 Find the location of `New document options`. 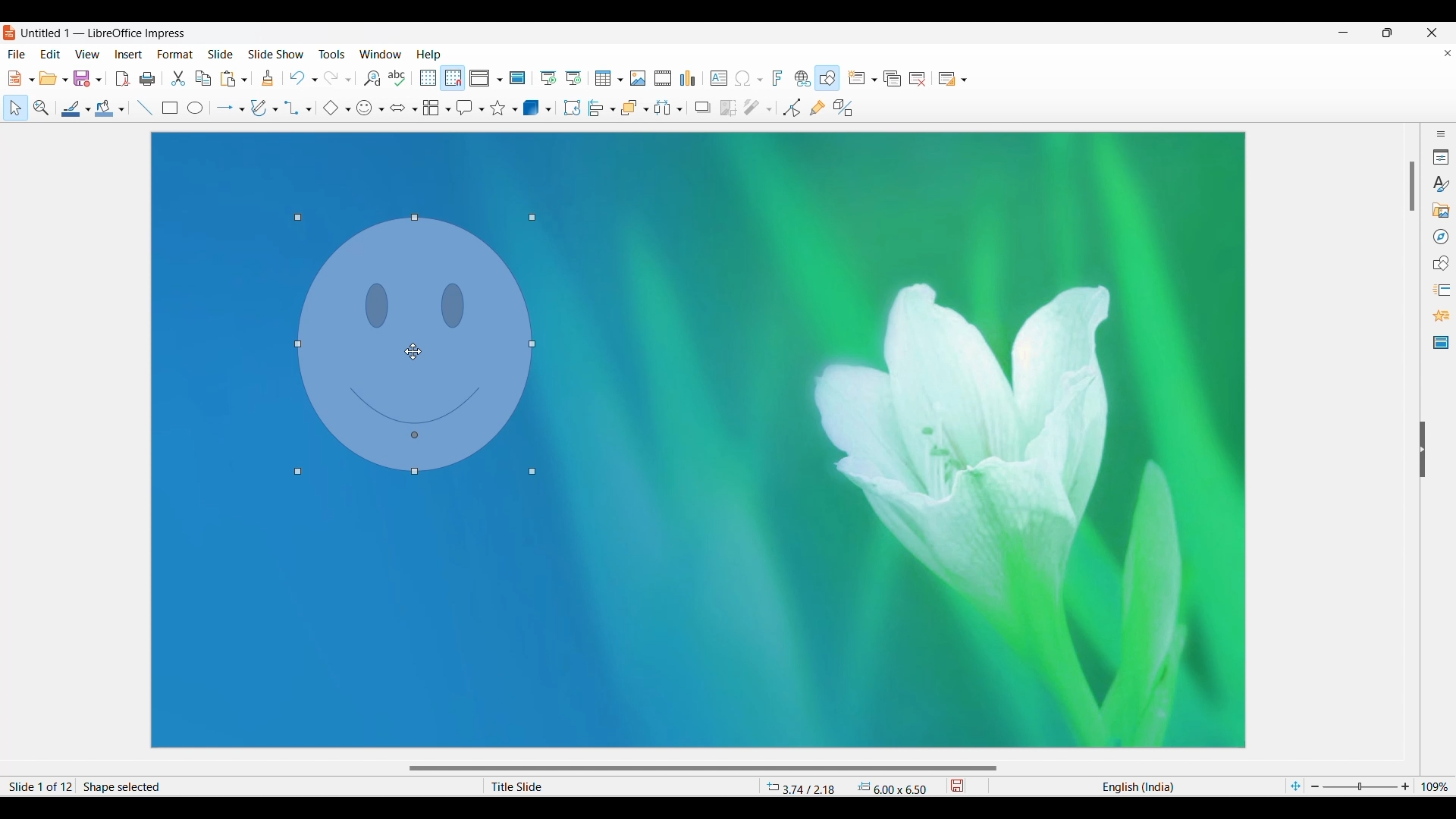

New document options is located at coordinates (31, 80).